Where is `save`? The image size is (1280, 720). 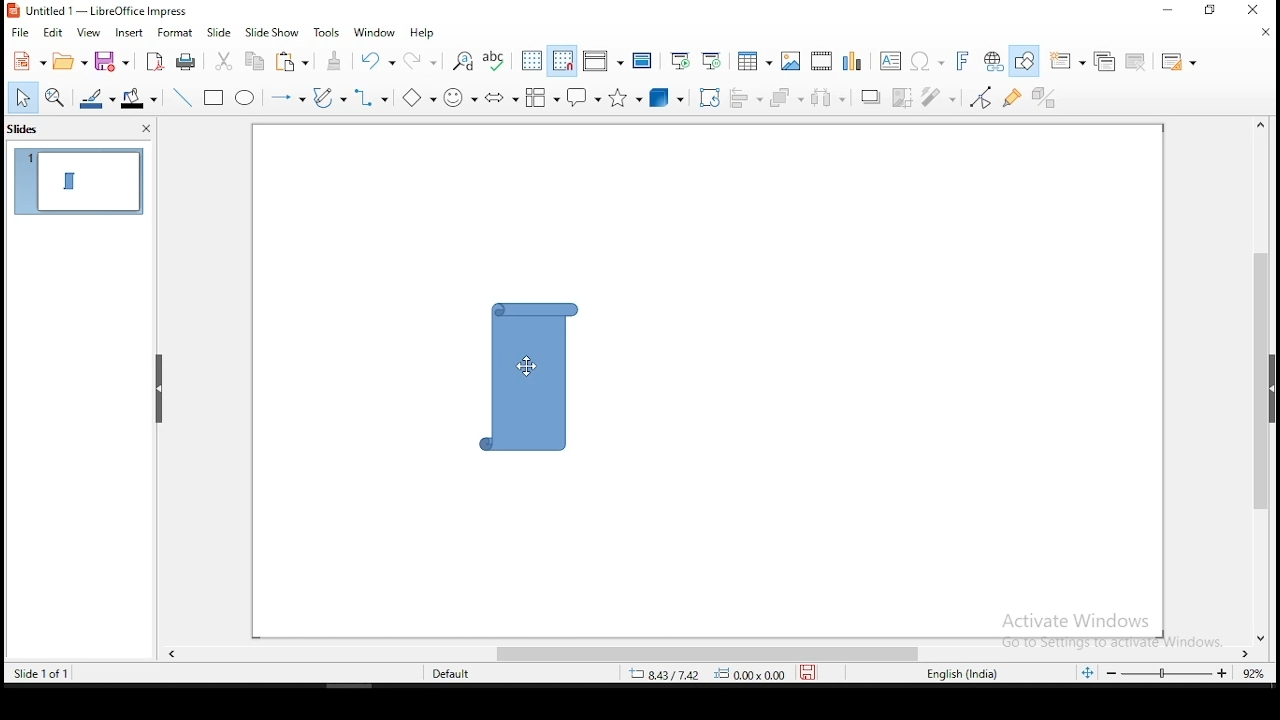
save is located at coordinates (111, 62).